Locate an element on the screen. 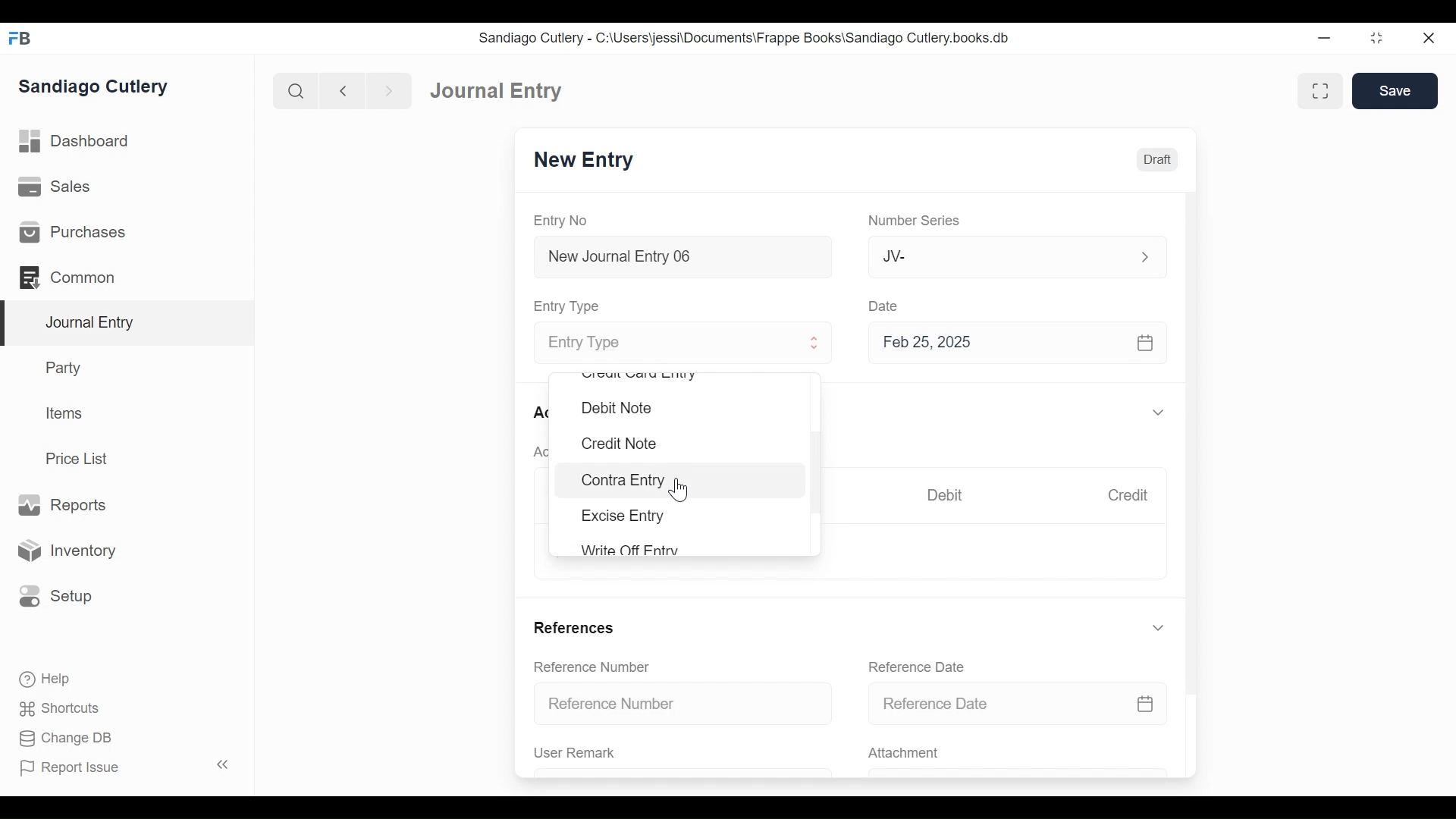 This screenshot has width=1456, height=819. Toggle between form and full width is located at coordinates (1320, 91).